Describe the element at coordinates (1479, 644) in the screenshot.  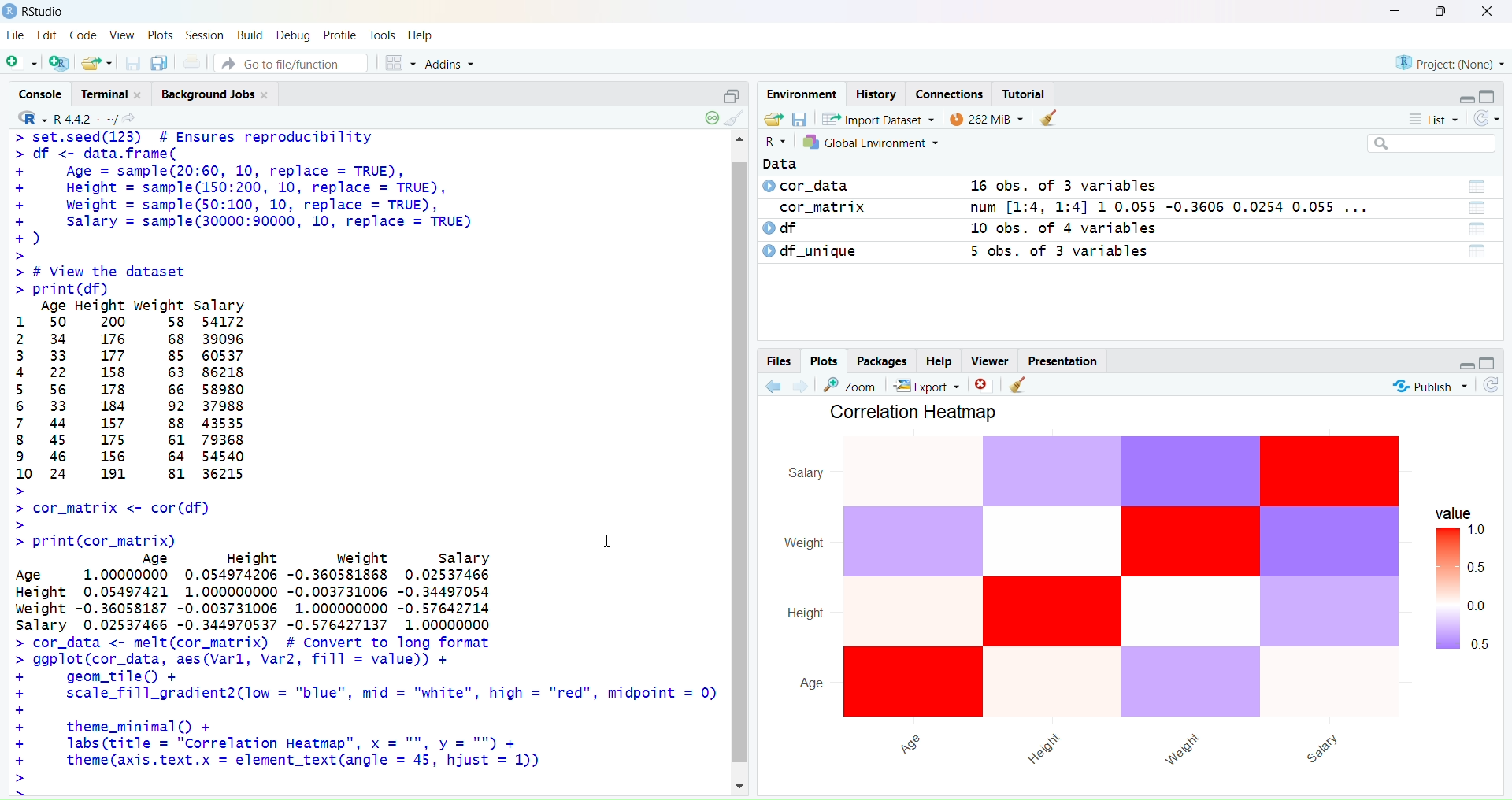
I see `0.5` at that location.